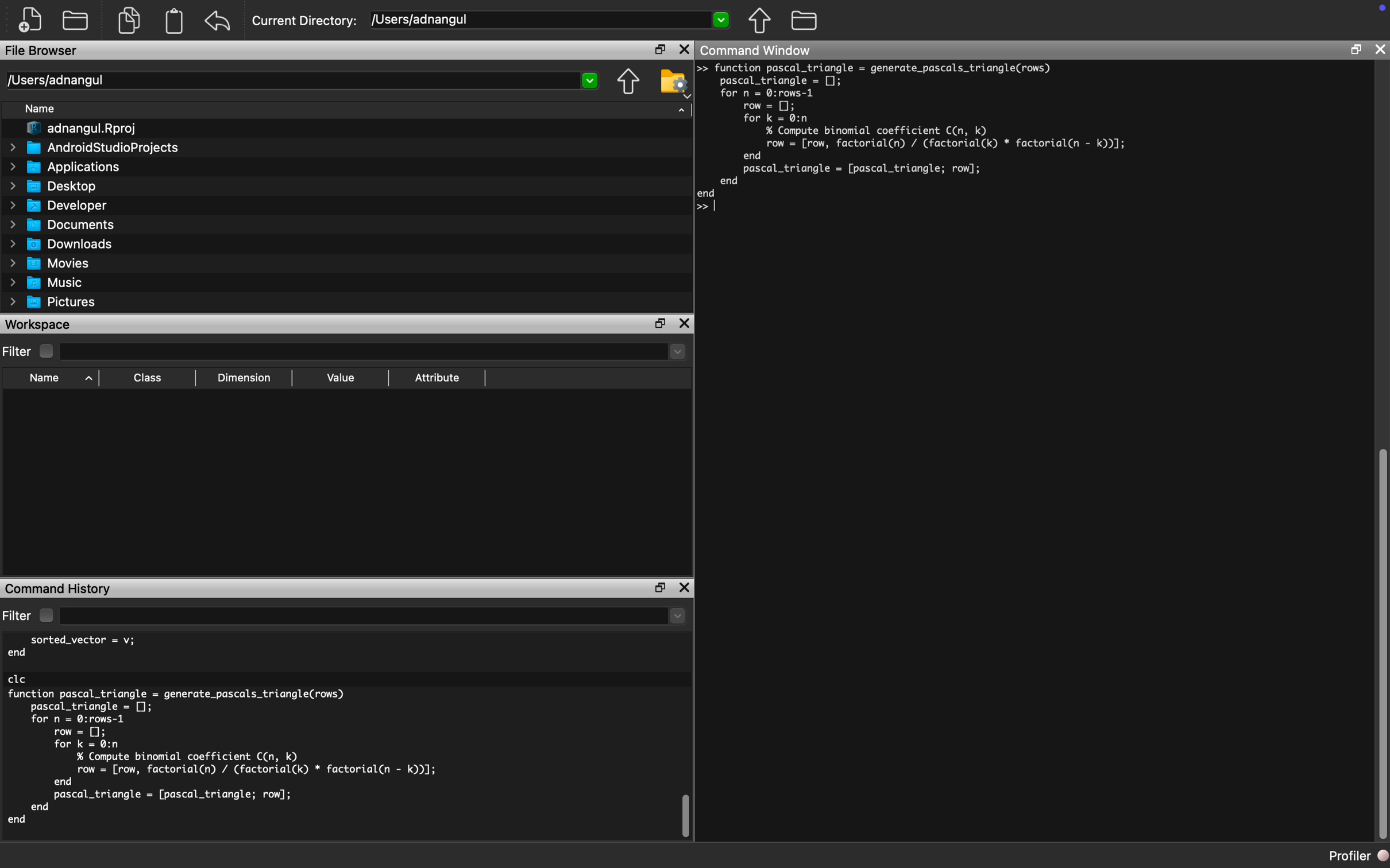 Image resolution: width=1390 pixels, height=868 pixels. I want to click on /Users/adnangul, so click(550, 19).